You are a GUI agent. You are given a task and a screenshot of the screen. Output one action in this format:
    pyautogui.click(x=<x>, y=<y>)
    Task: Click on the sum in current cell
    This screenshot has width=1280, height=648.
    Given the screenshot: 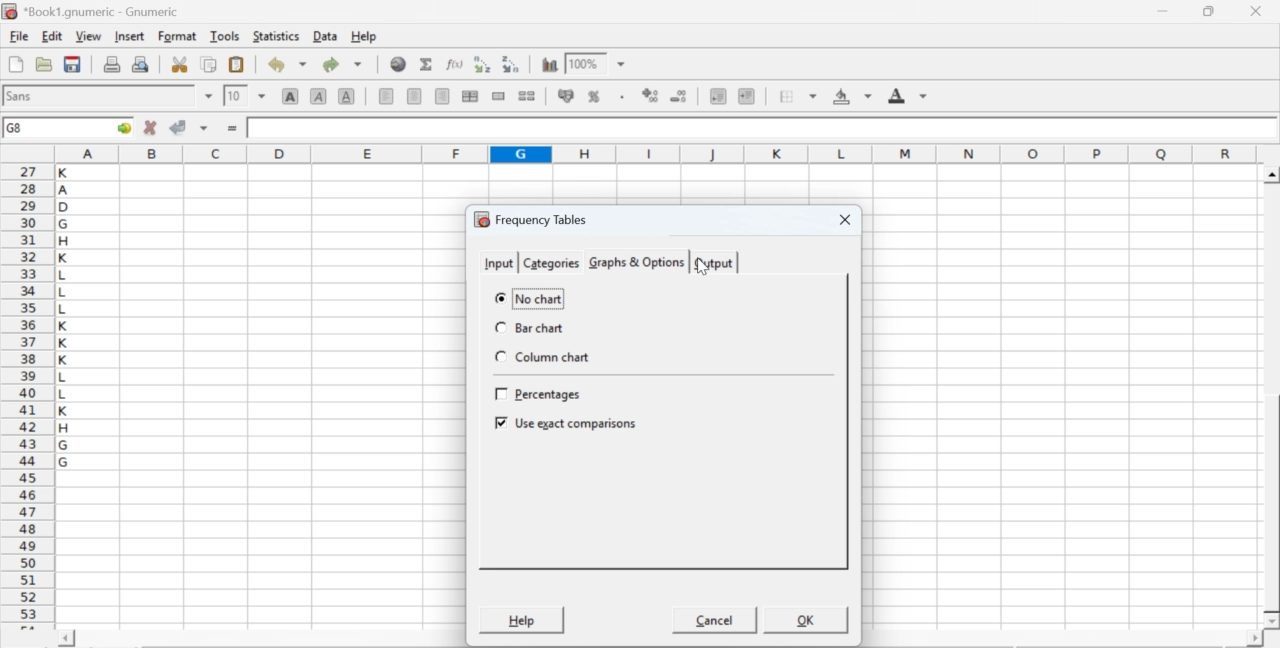 What is the action you would take?
    pyautogui.click(x=427, y=63)
    